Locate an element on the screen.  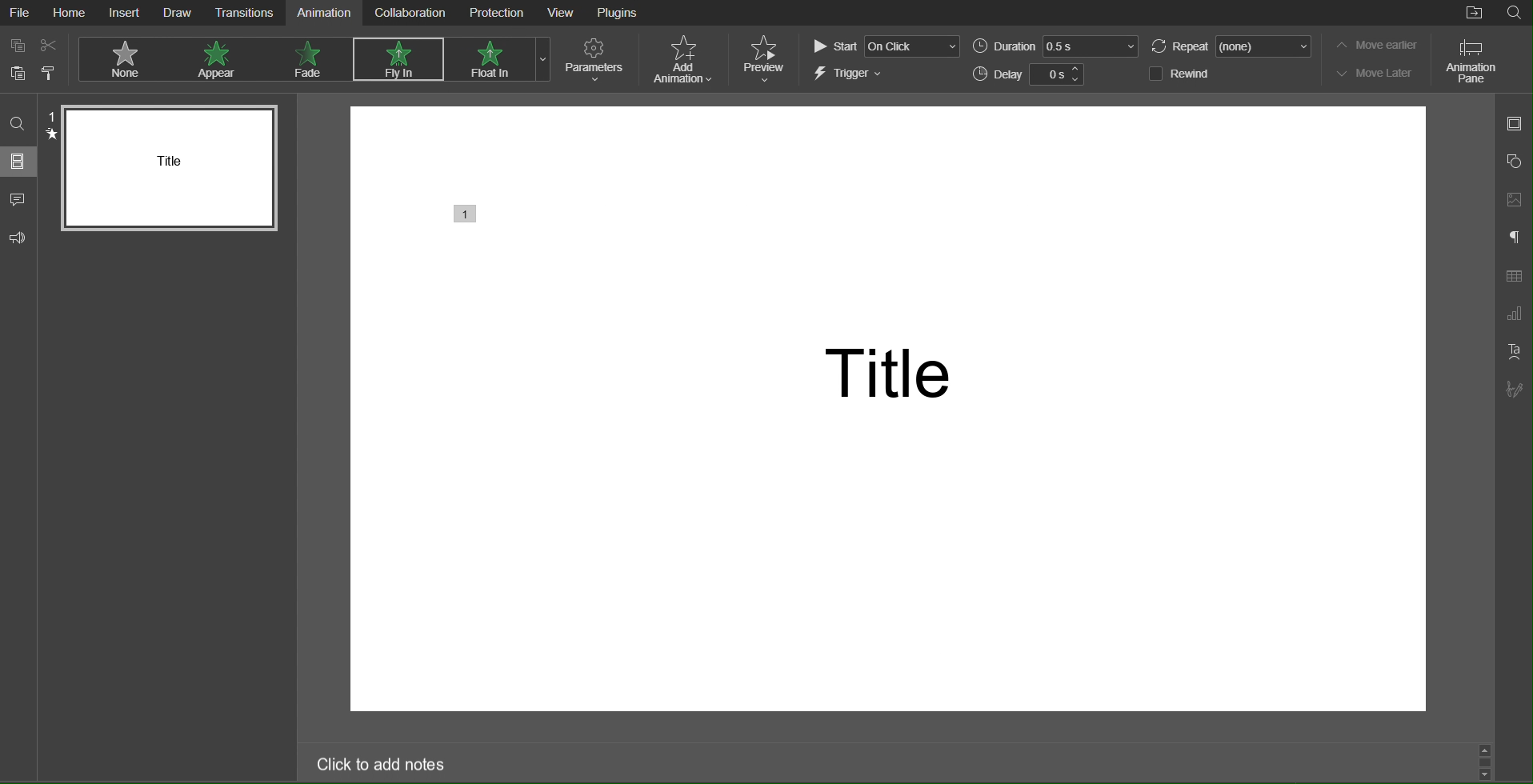
Graph Settings is located at coordinates (1515, 314).